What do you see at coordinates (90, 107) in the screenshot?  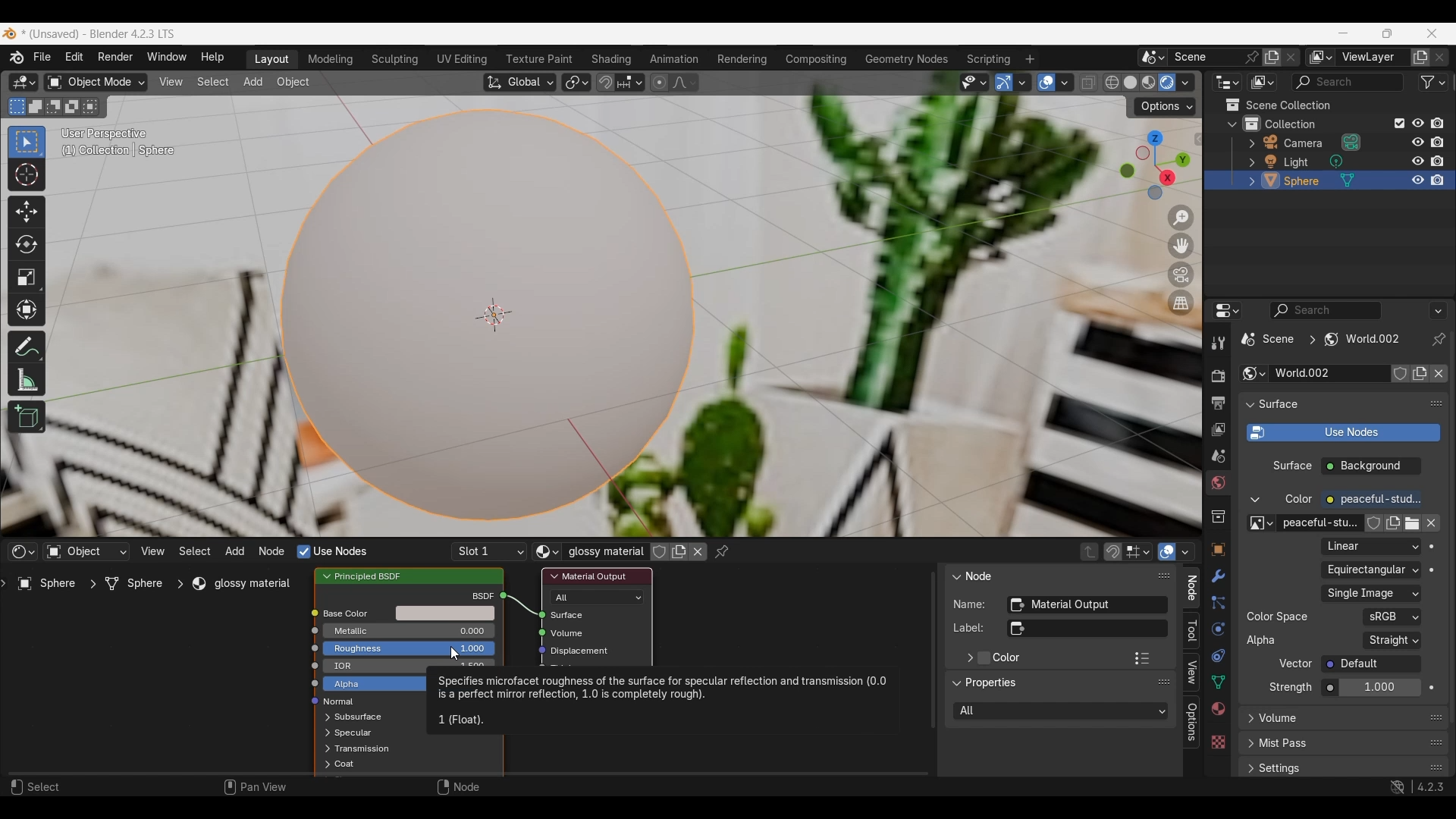 I see `Intersect existing selection` at bounding box center [90, 107].